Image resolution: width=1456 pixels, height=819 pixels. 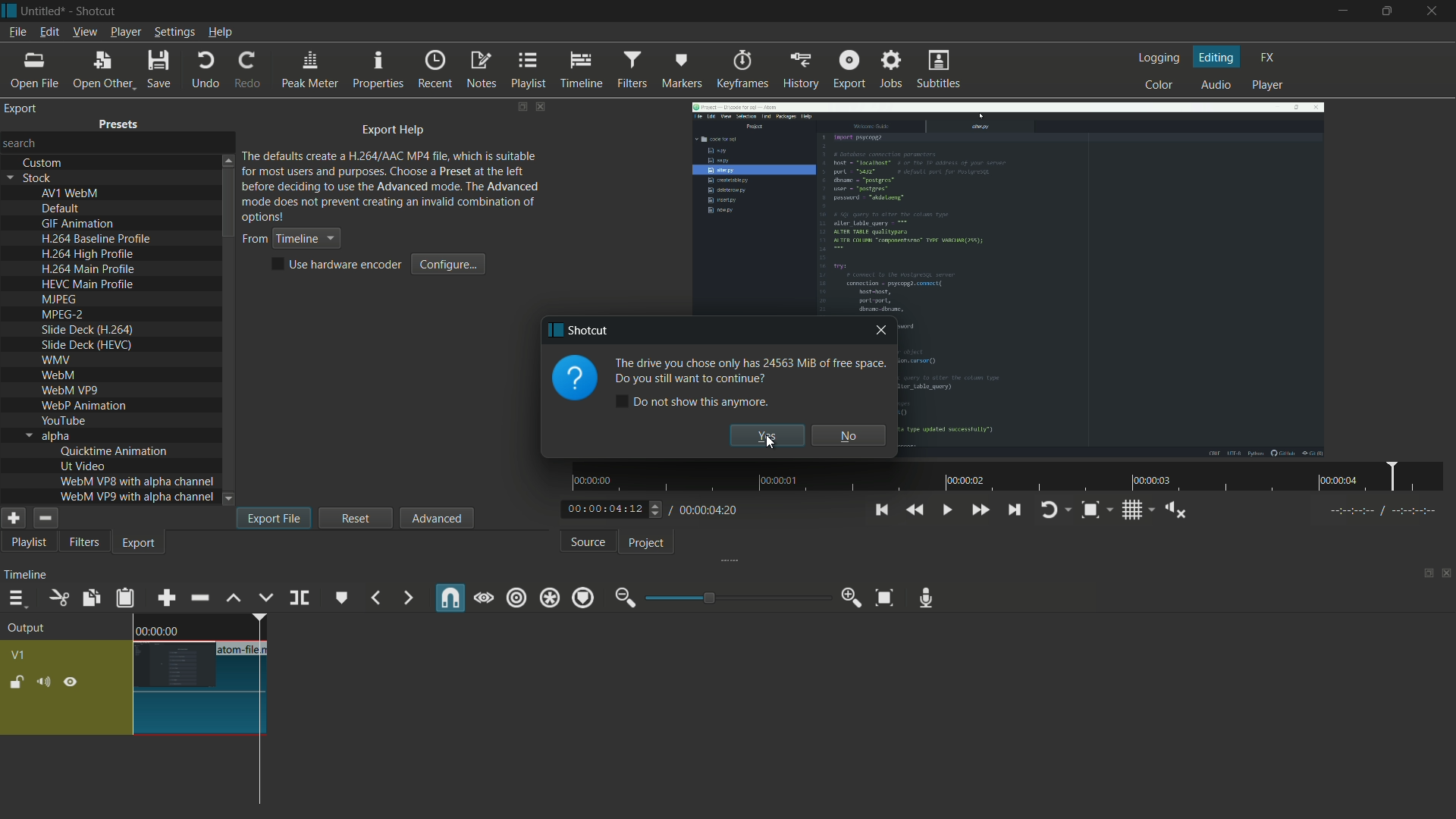 I want to click on source, so click(x=588, y=543).